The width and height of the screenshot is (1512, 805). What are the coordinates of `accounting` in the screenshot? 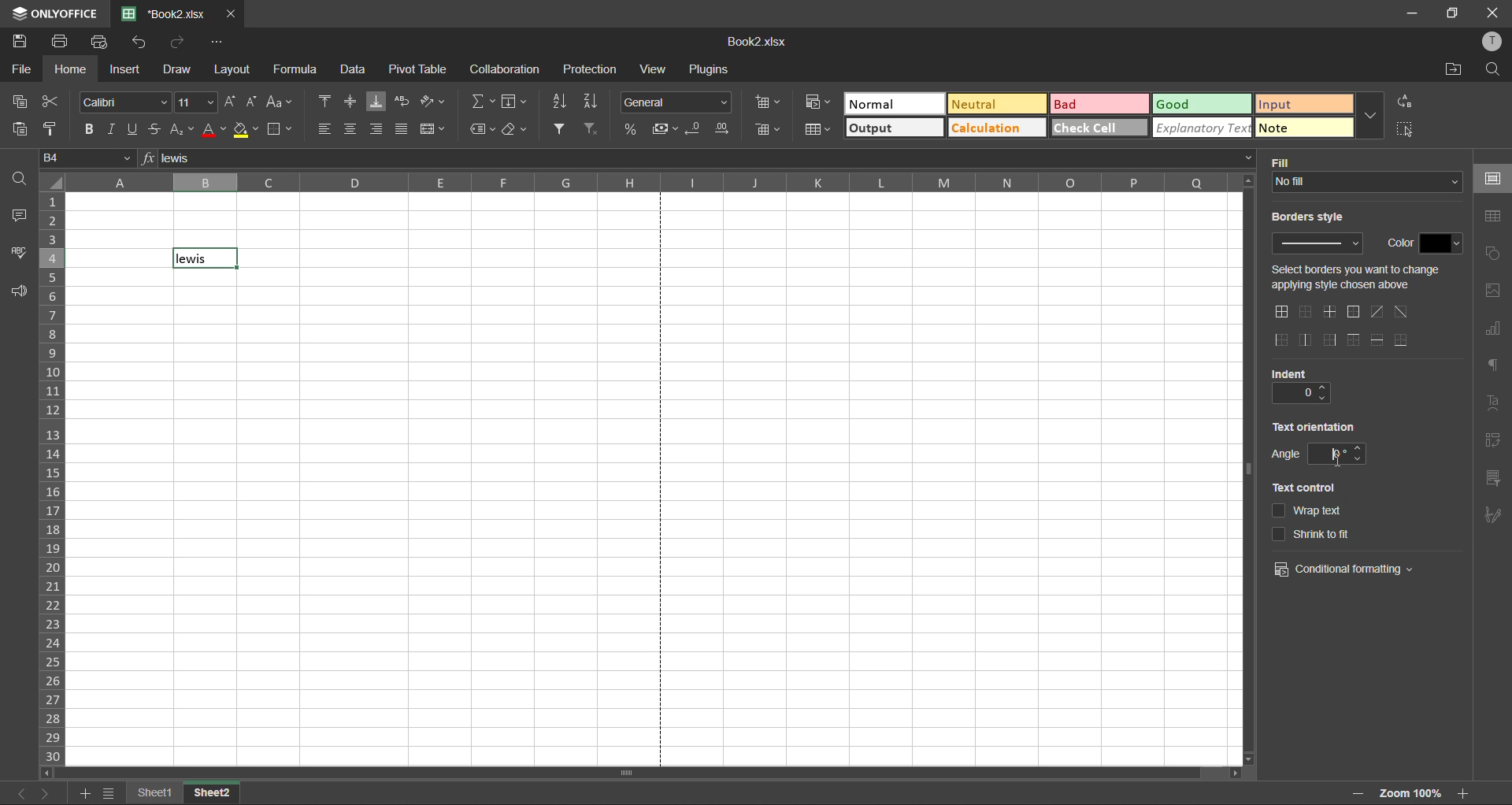 It's located at (666, 129).